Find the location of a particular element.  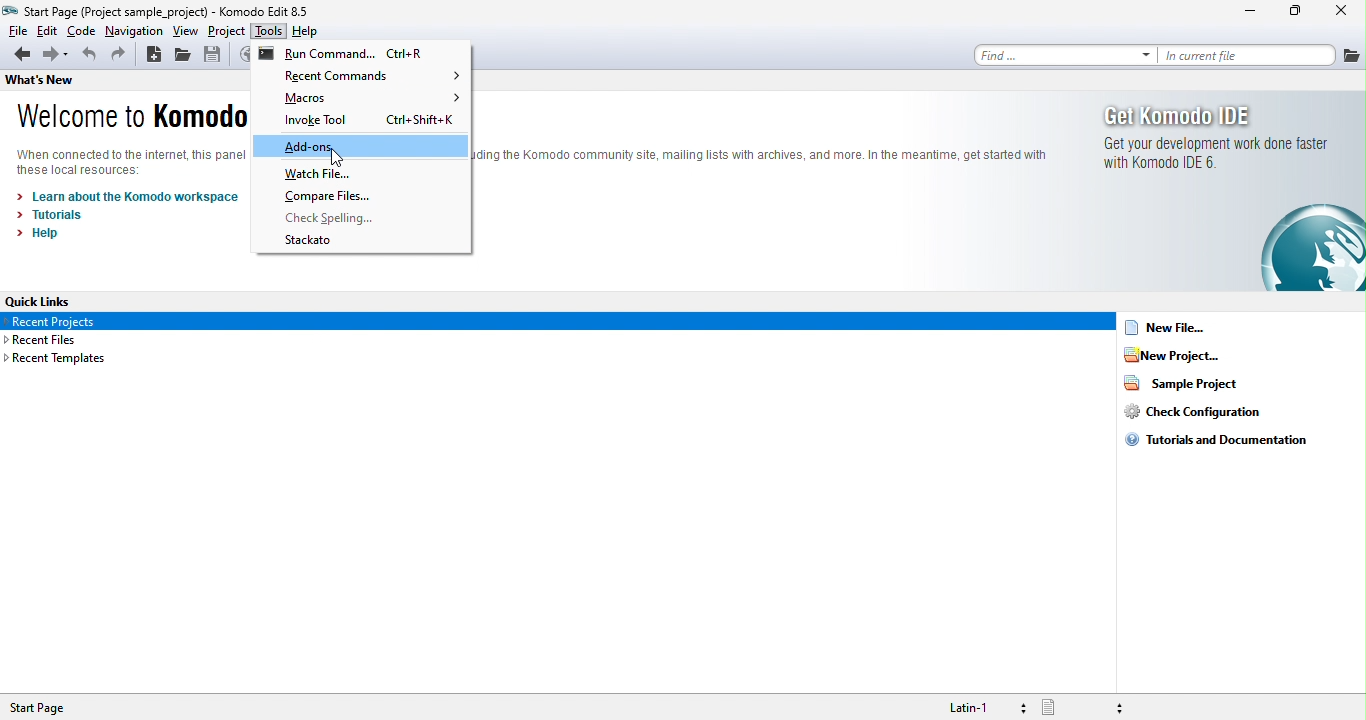

tutorials is located at coordinates (55, 218).